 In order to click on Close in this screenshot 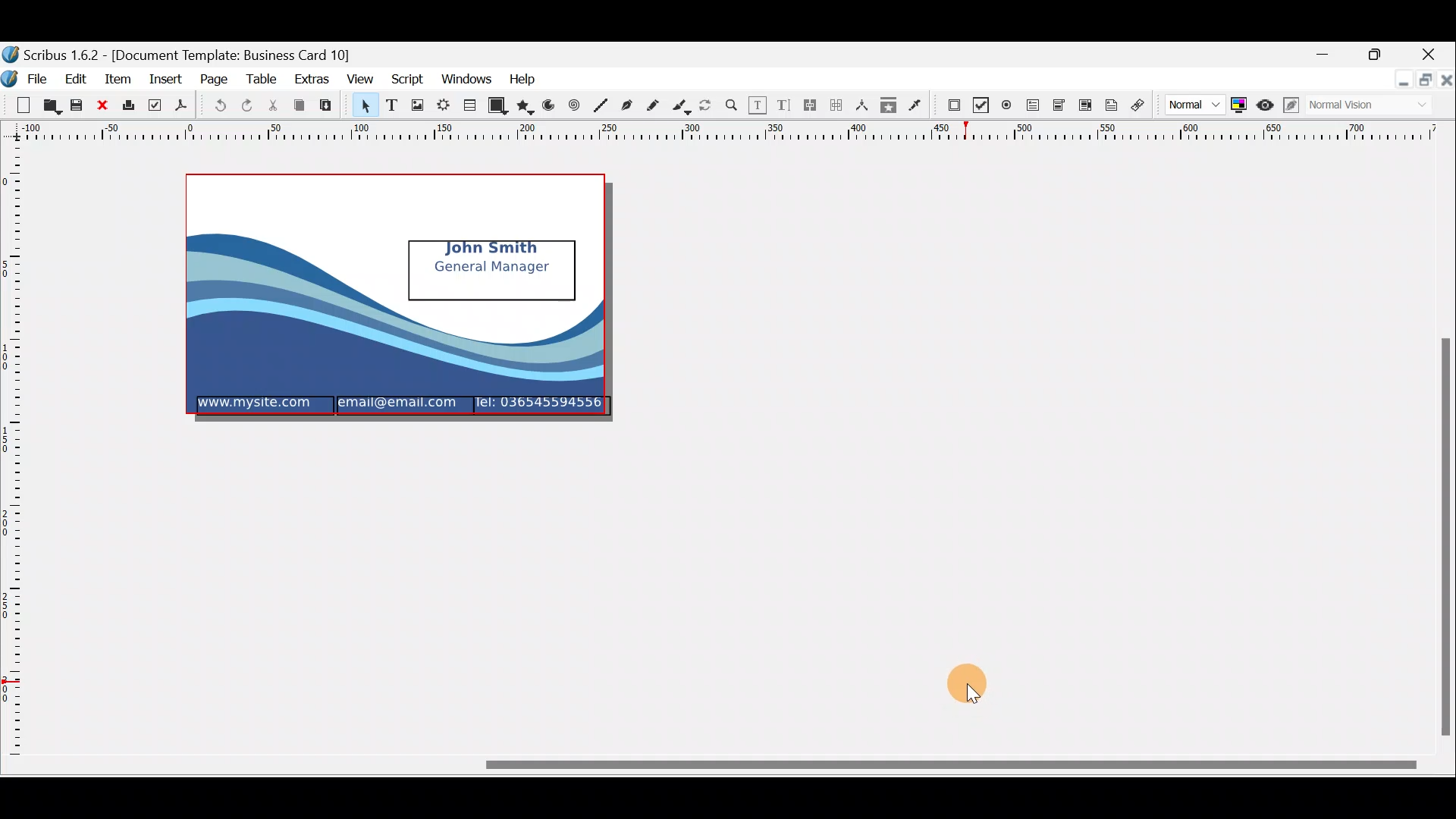, I will do `click(103, 106)`.